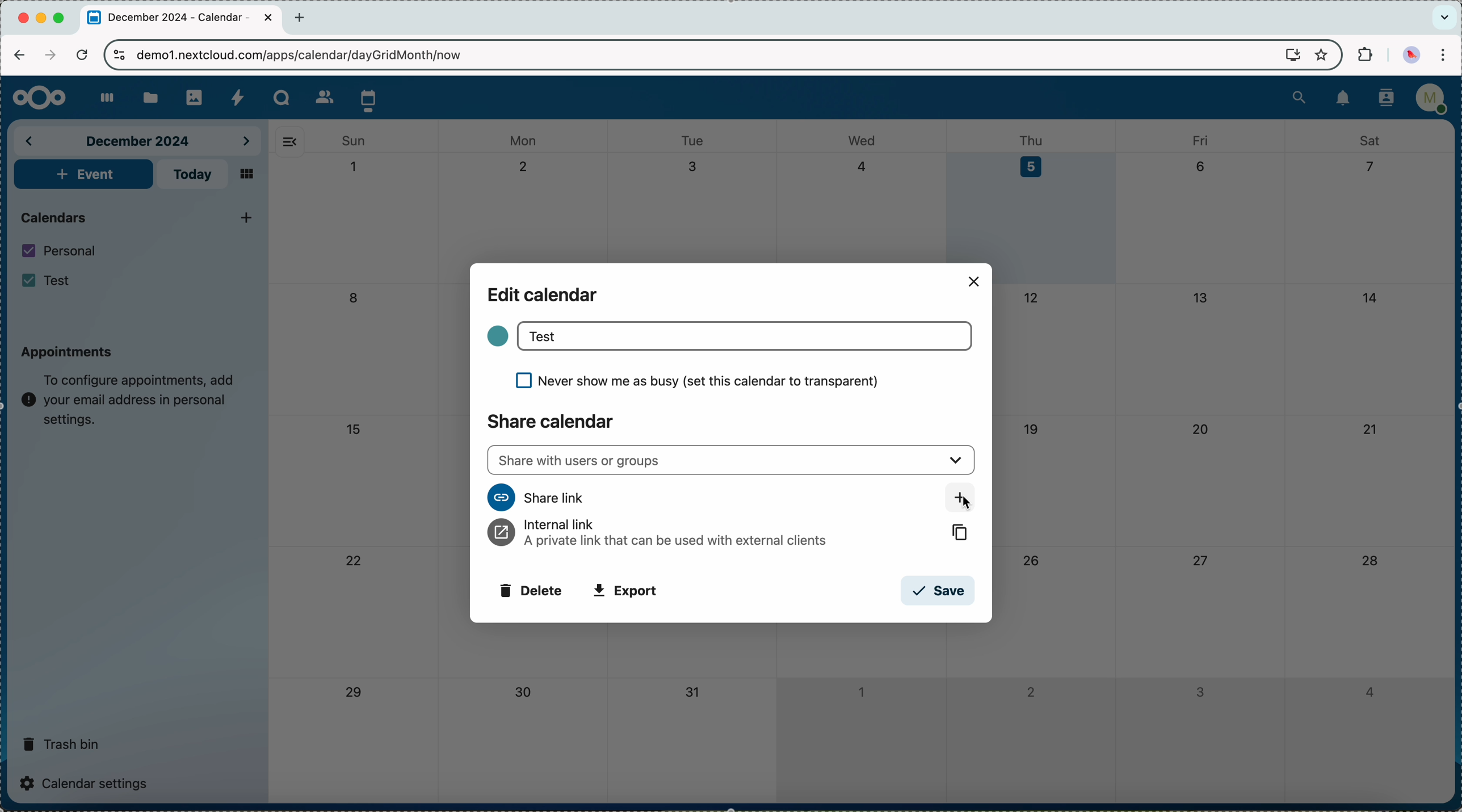  I want to click on share calendar, so click(550, 420).